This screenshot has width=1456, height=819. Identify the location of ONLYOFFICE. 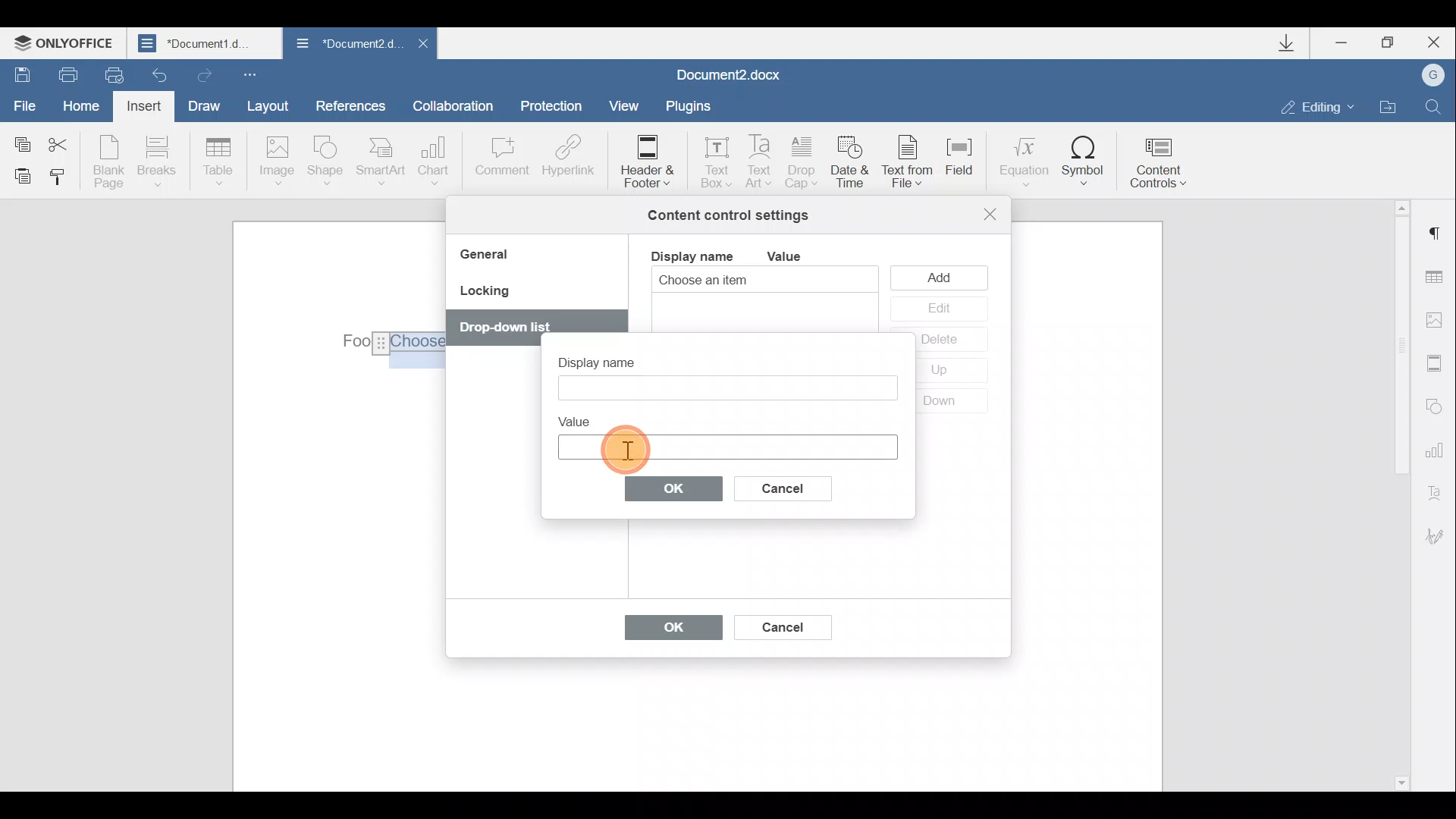
(67, 42).